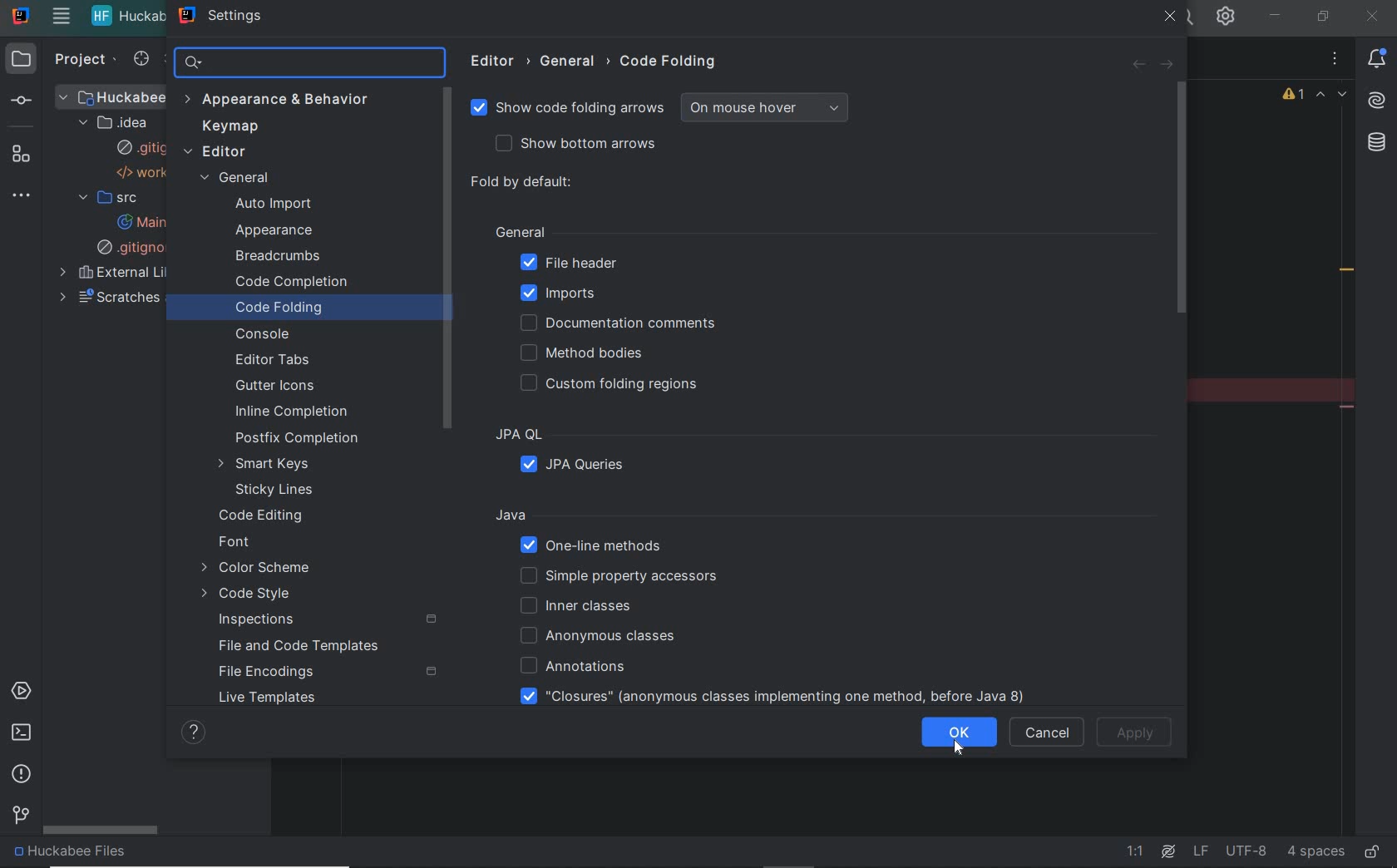 The width and height of the screenshot is (1397, 868). I want to click on back, so click(1138, 67).